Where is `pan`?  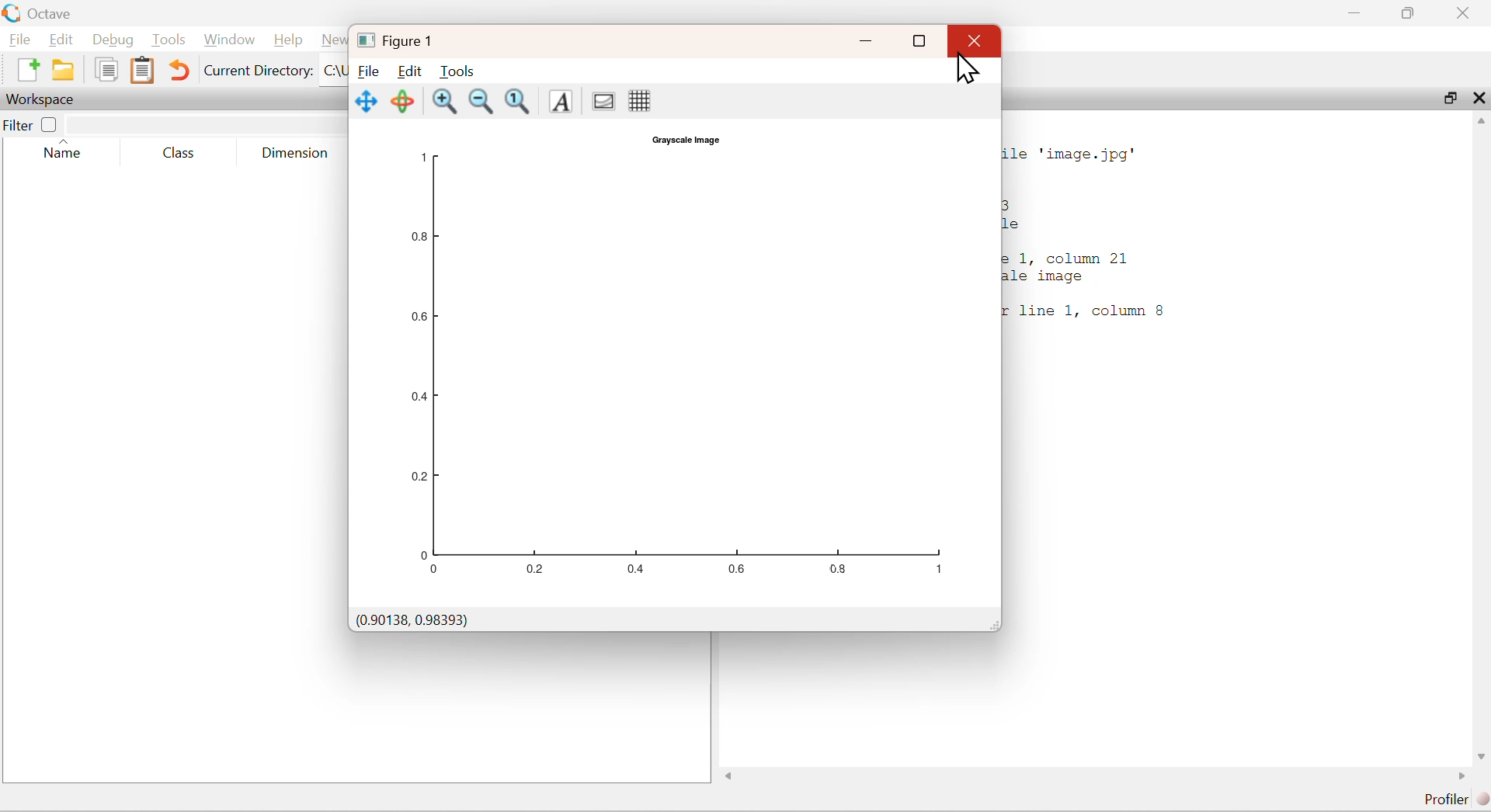
pan is located at coordinates (367, 101).